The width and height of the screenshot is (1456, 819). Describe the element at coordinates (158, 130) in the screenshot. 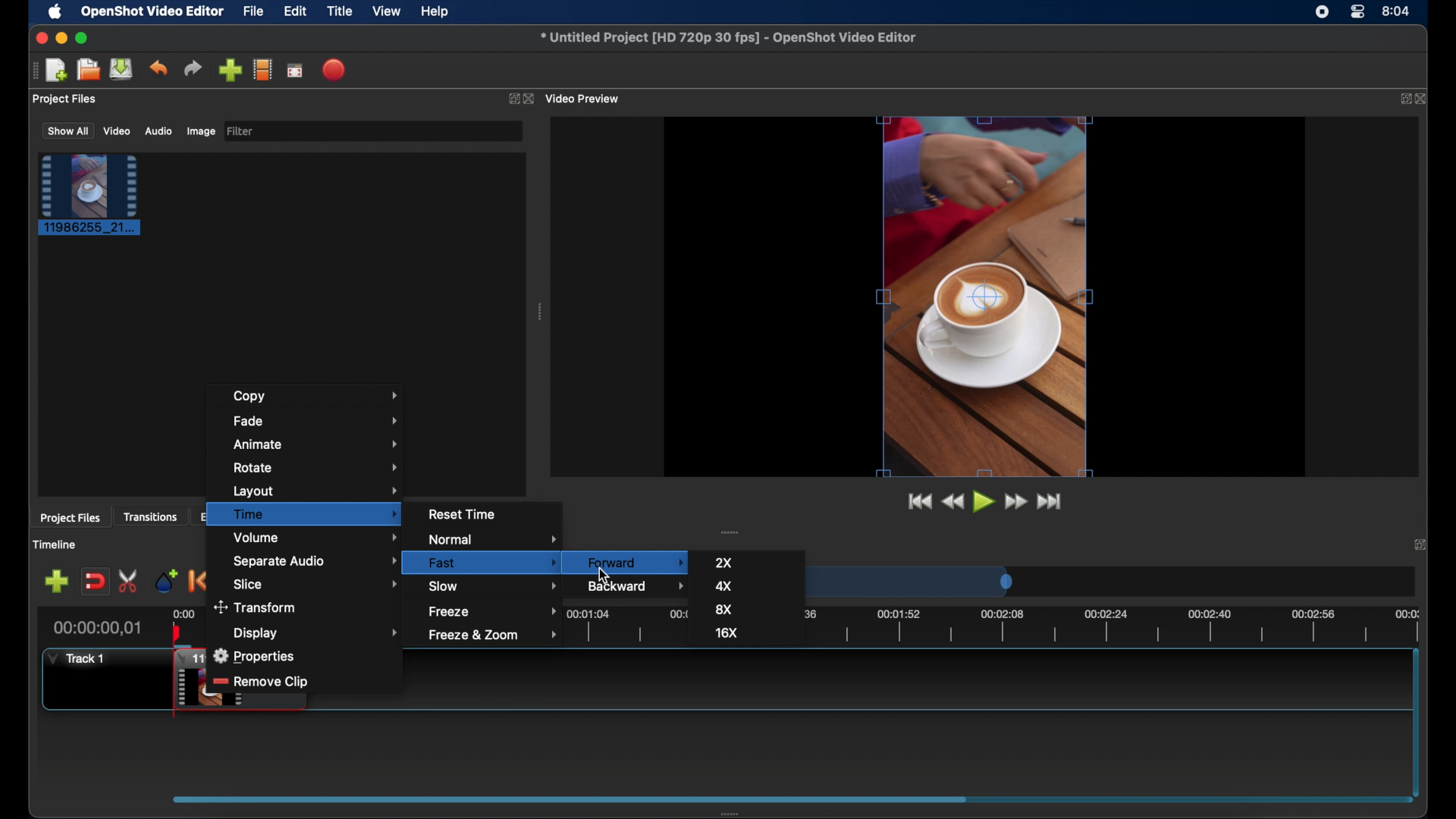

I see `audio` at that location.